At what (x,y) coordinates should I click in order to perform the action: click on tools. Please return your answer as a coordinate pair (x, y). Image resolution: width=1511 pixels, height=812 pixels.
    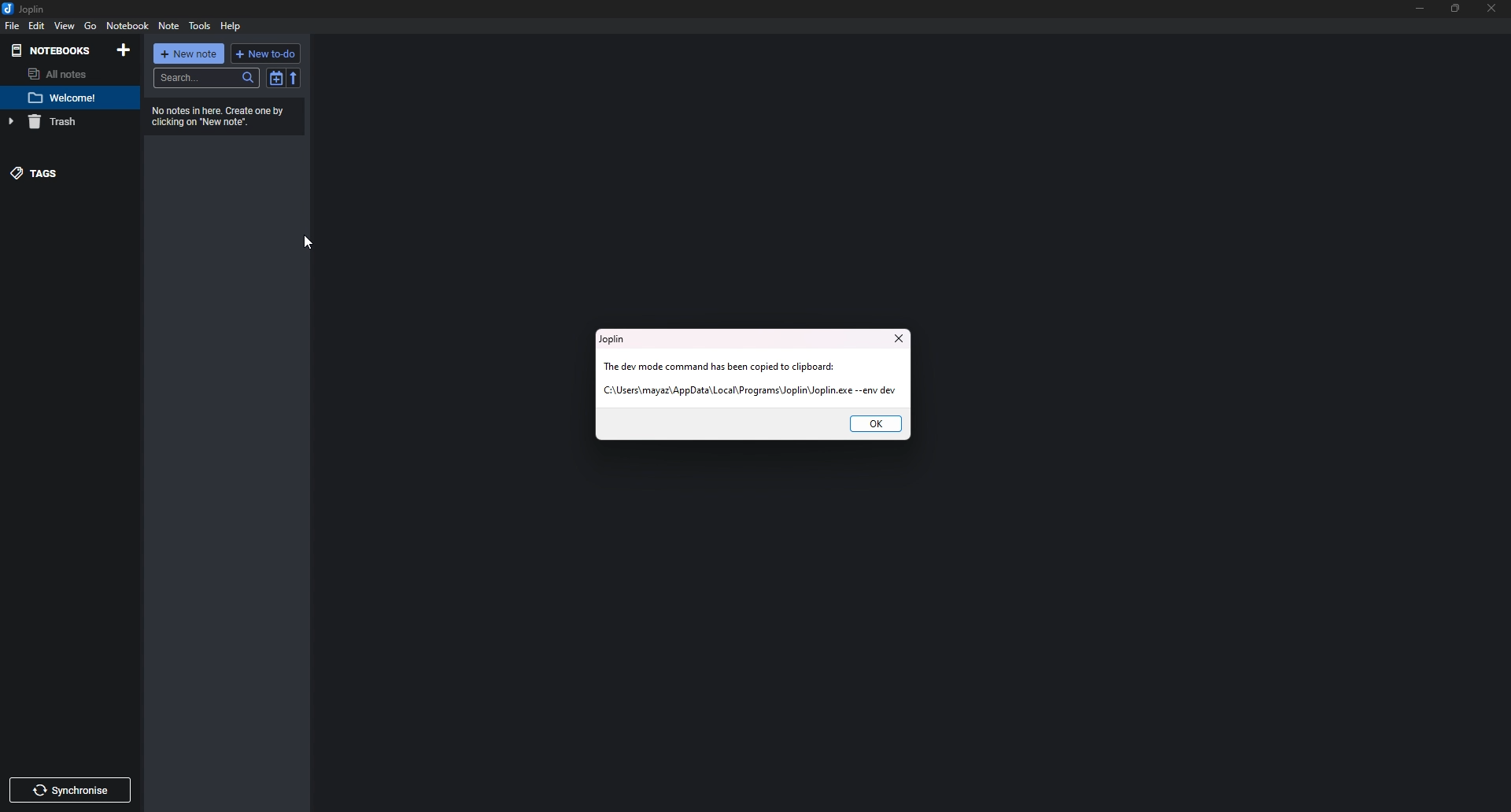
    Looking at the image, I should click on (199, 26).